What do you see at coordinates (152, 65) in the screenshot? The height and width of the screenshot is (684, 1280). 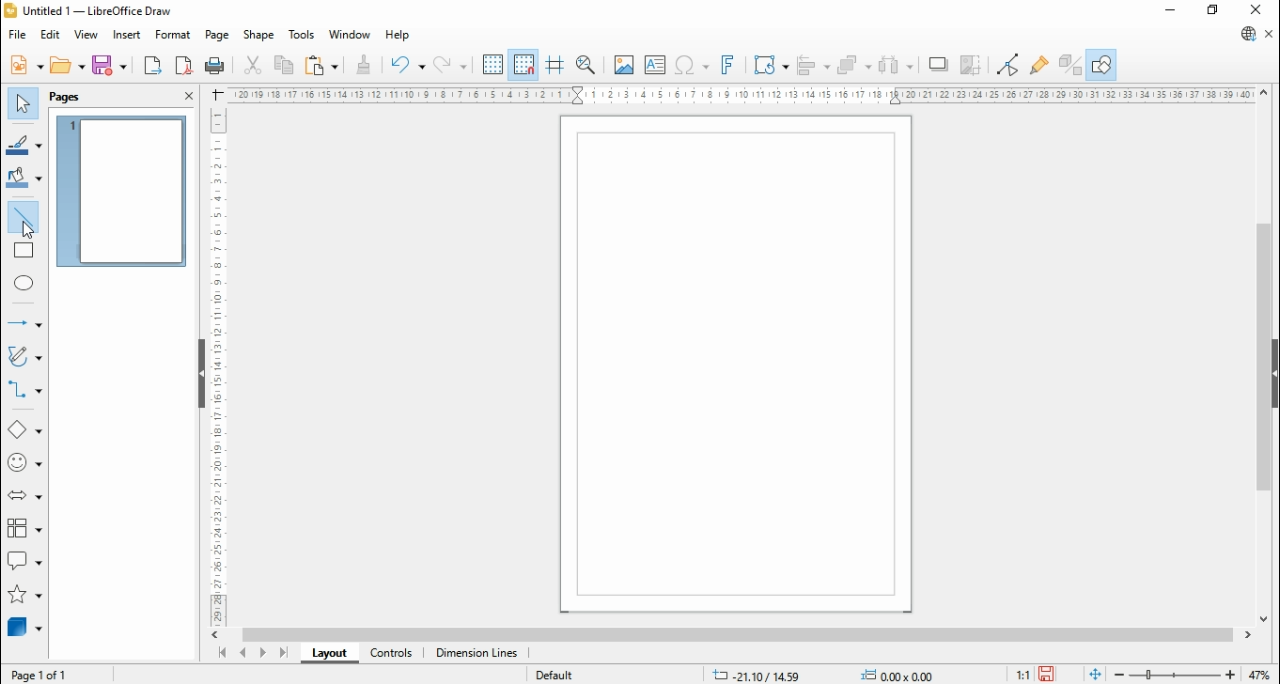 I see `export` at bounding box center [152, 65].